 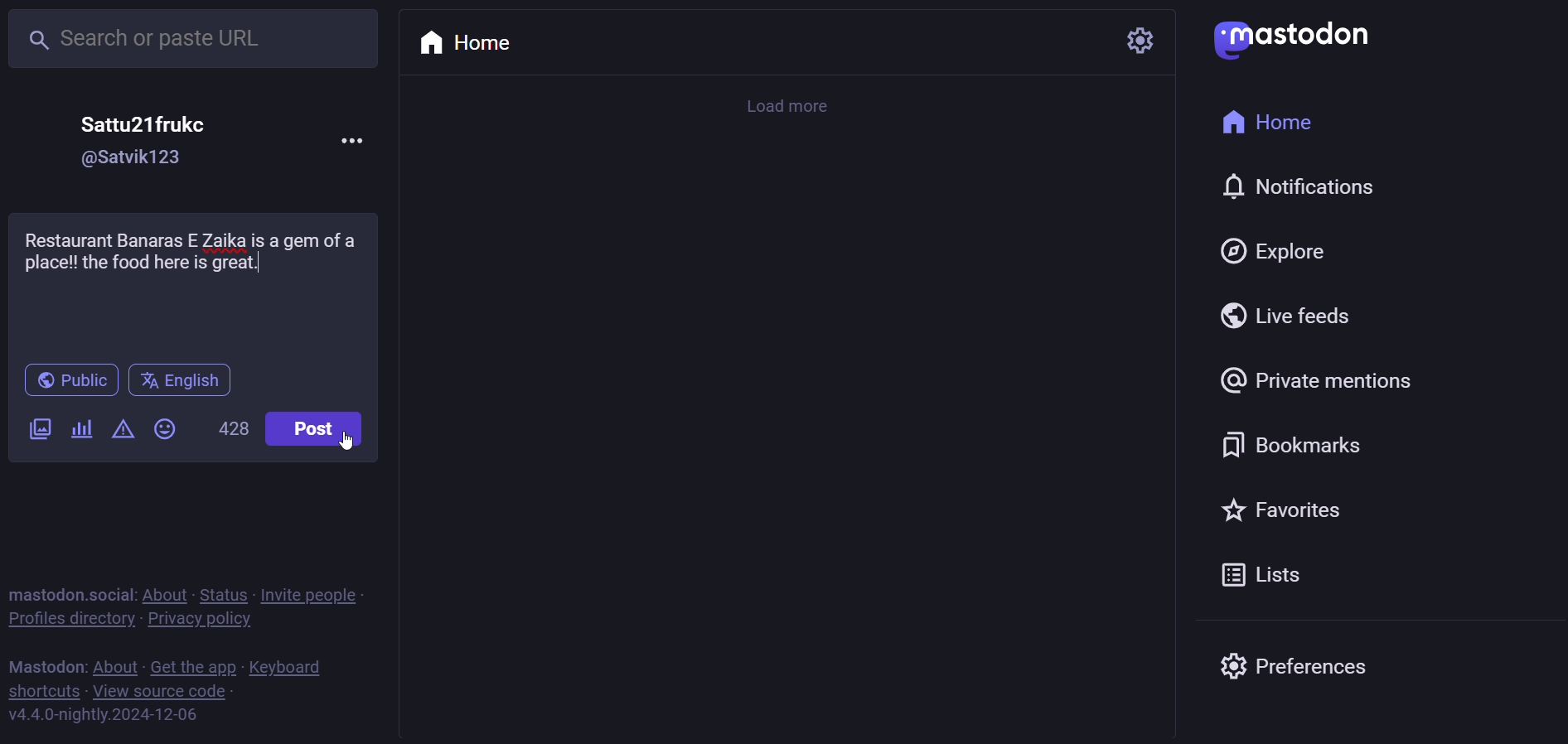 I want to click on bookmark, so click(x=1286, y=445).